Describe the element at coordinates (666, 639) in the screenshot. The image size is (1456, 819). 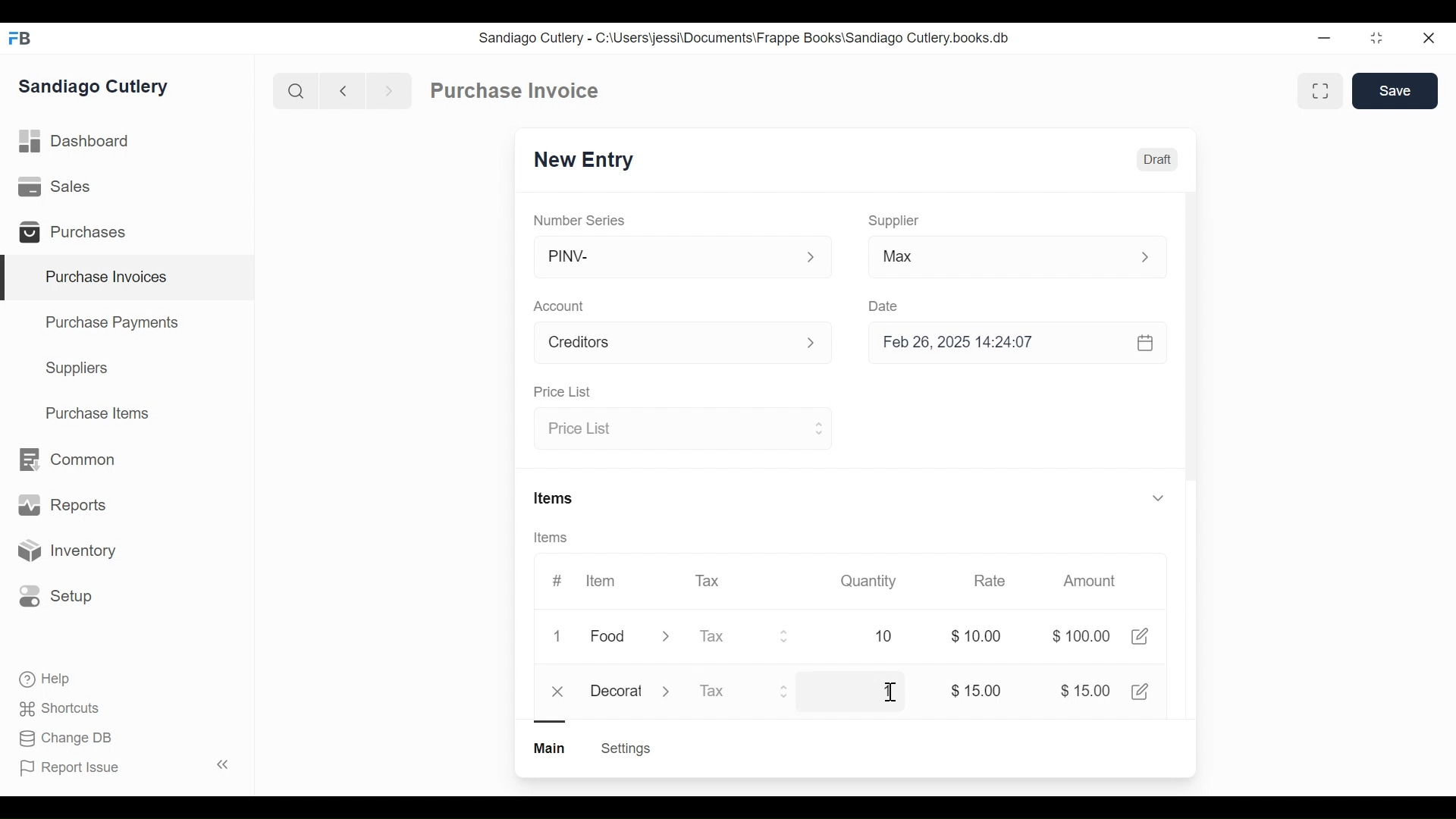
I see `Expand` at that location.